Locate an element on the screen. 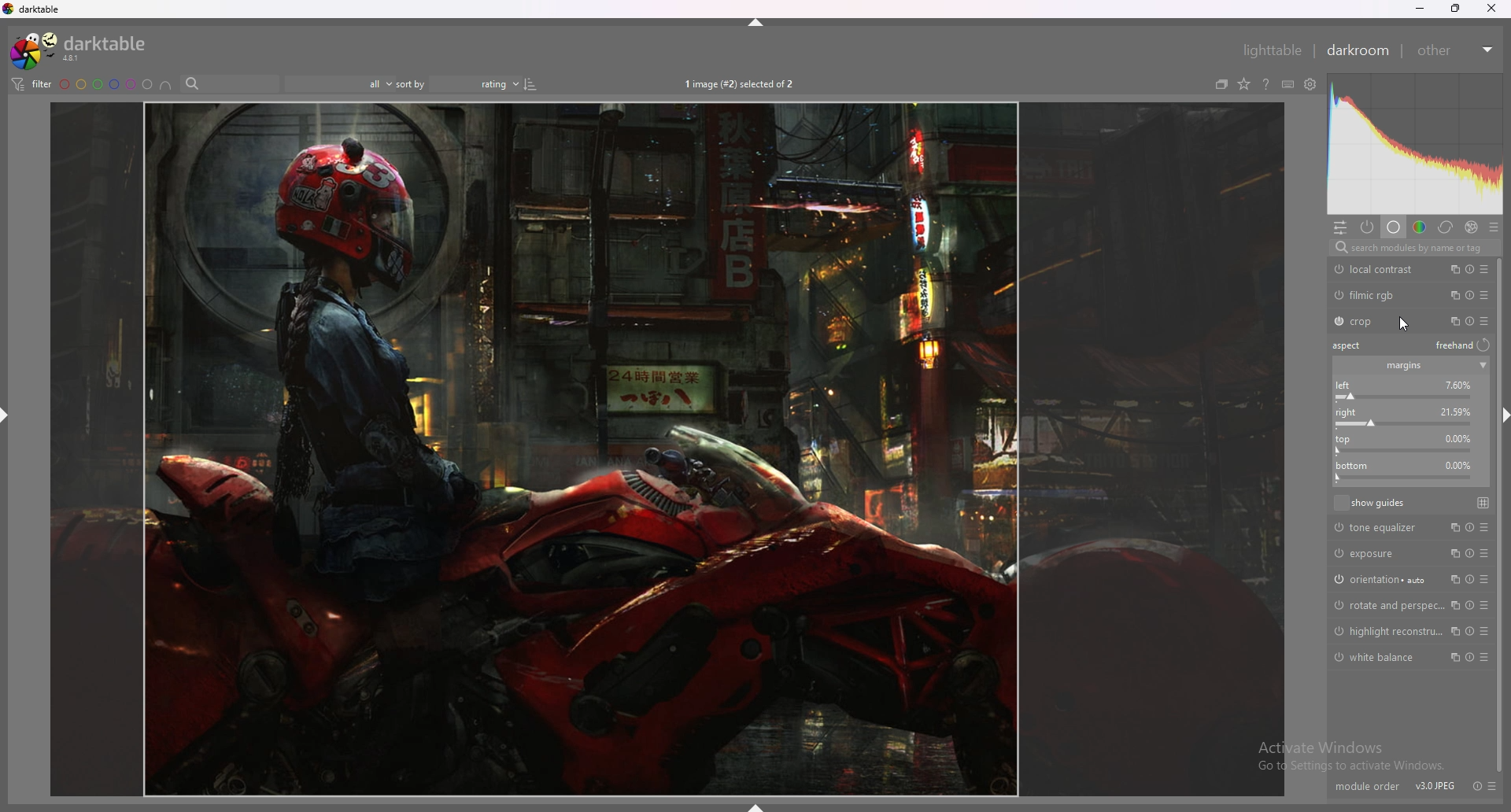 Image resolution: width=1511 pixels, height=812 pixels. multiple instances action is located at coordinates (1454, 605).